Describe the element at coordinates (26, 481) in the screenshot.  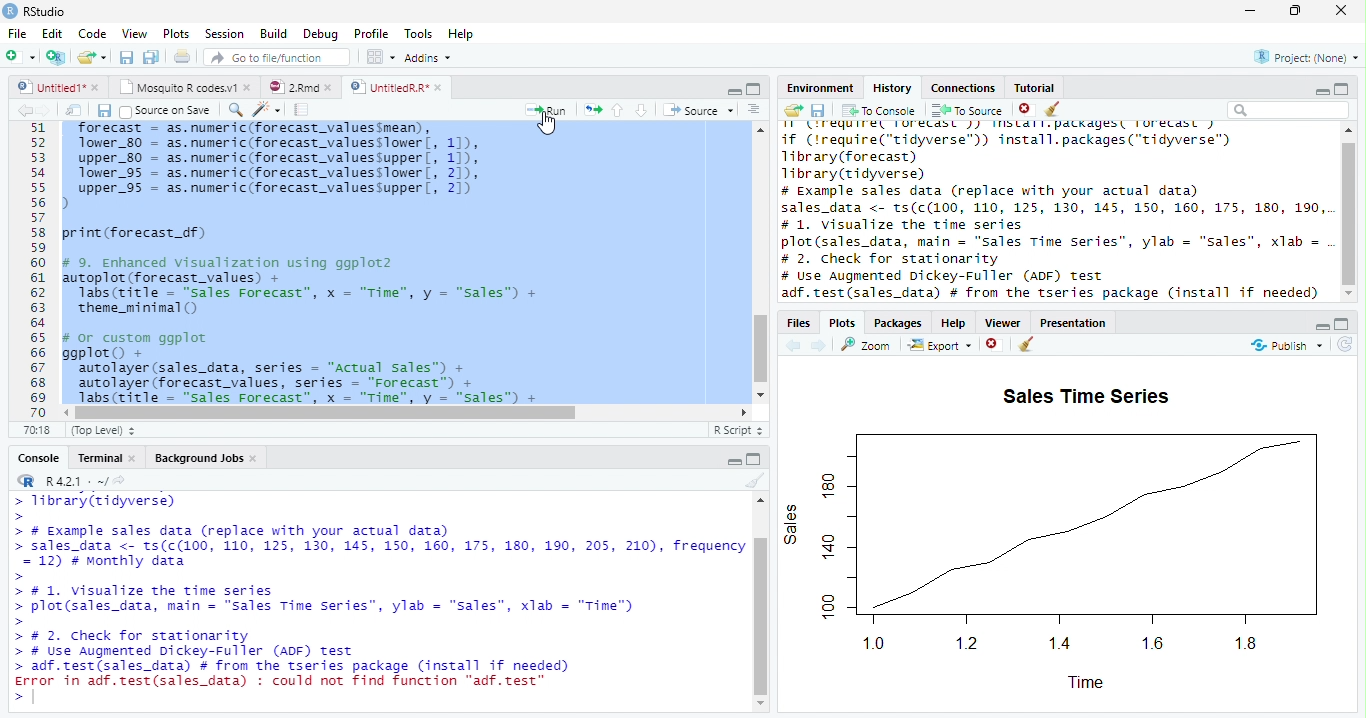
I see `R` at that location.